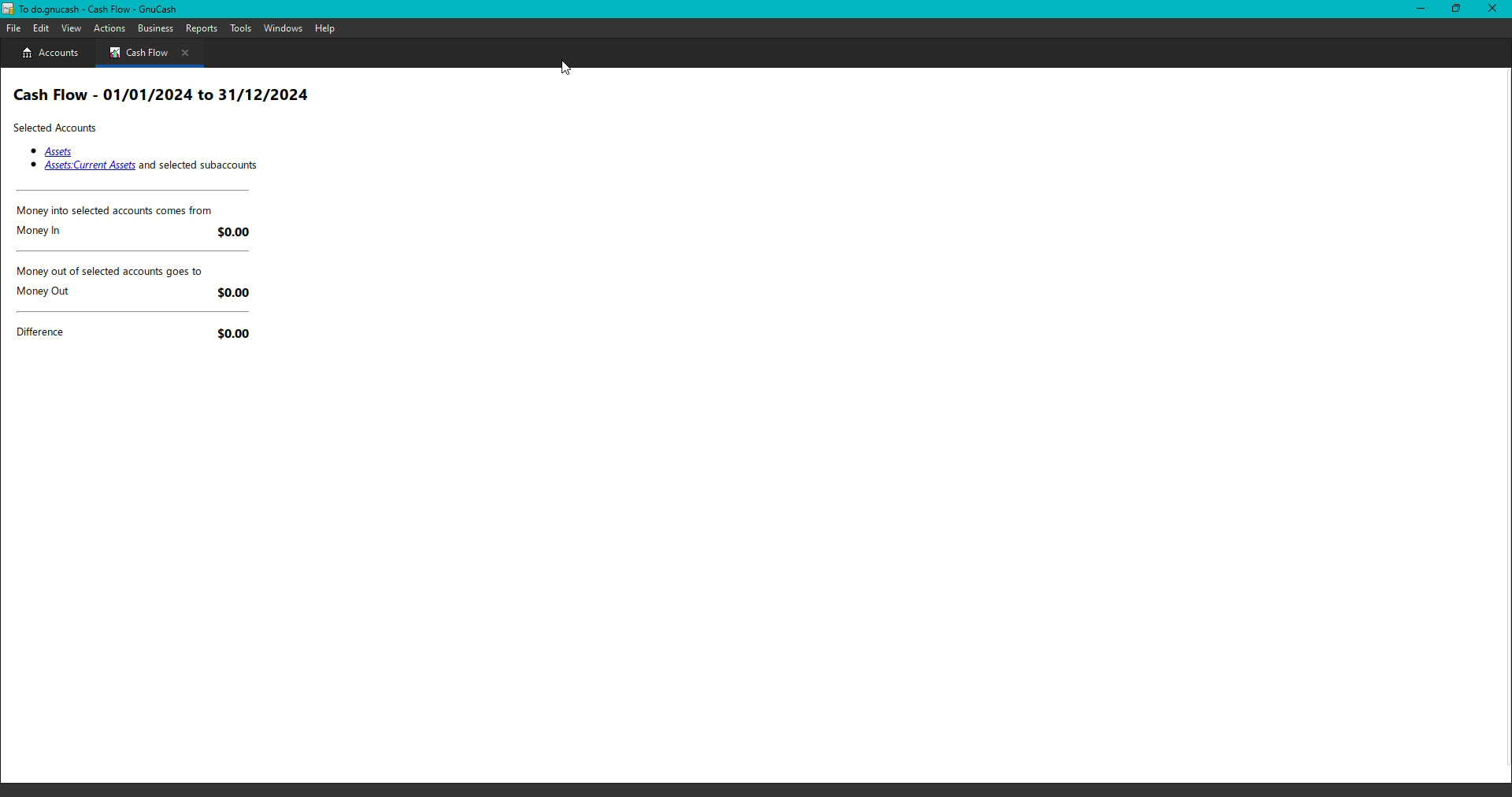 This screenshot has height=797, width=1512. What do you see at coordinates (14, 28) in the screenshot?
I see `File` at bounding box center [14, 28].